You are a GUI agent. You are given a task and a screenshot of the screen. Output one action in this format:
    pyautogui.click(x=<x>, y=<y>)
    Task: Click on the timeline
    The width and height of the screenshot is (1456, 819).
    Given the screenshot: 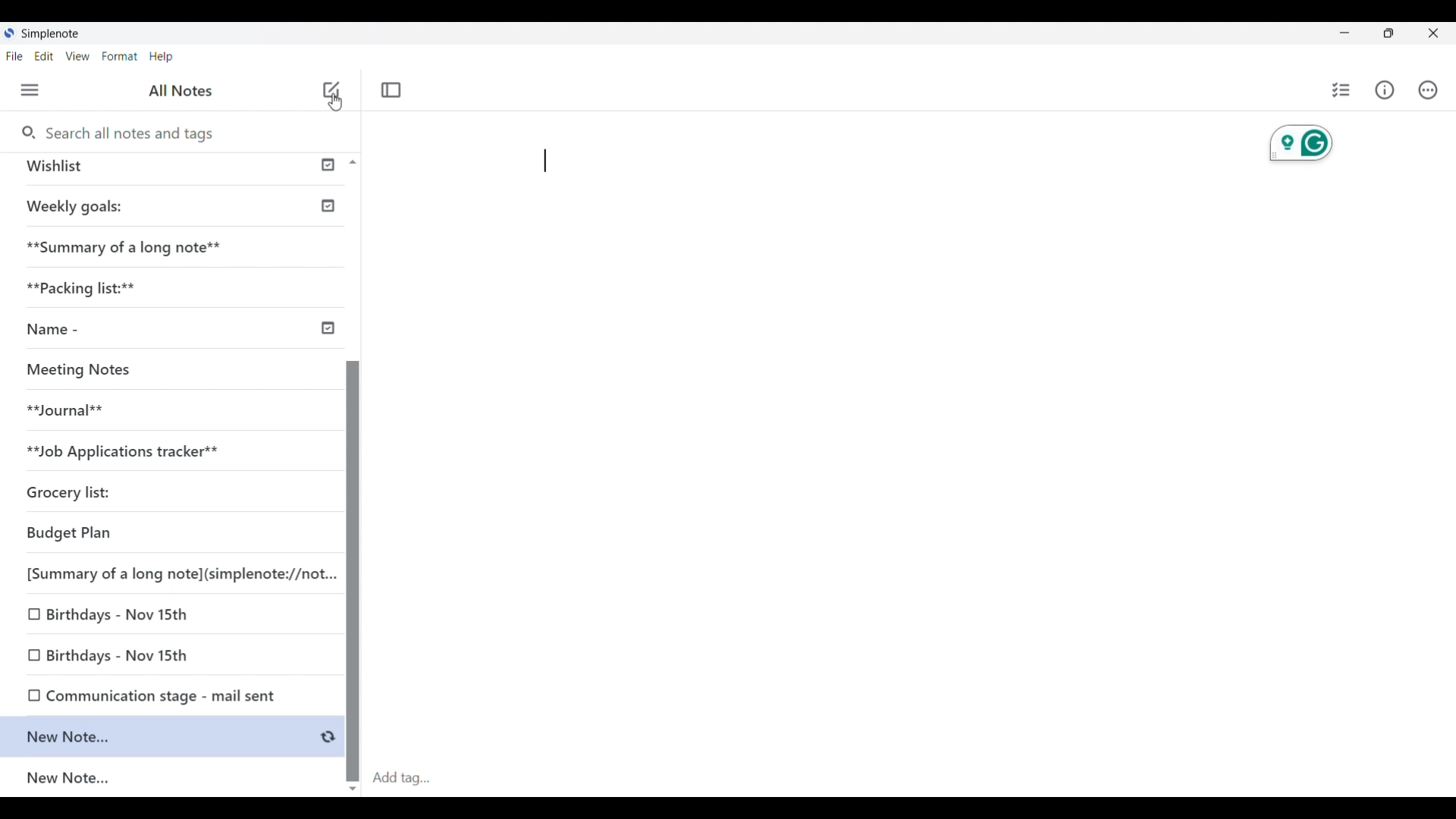 What is the action you would take?
    pyautogui.click(x=328, y=162)
    